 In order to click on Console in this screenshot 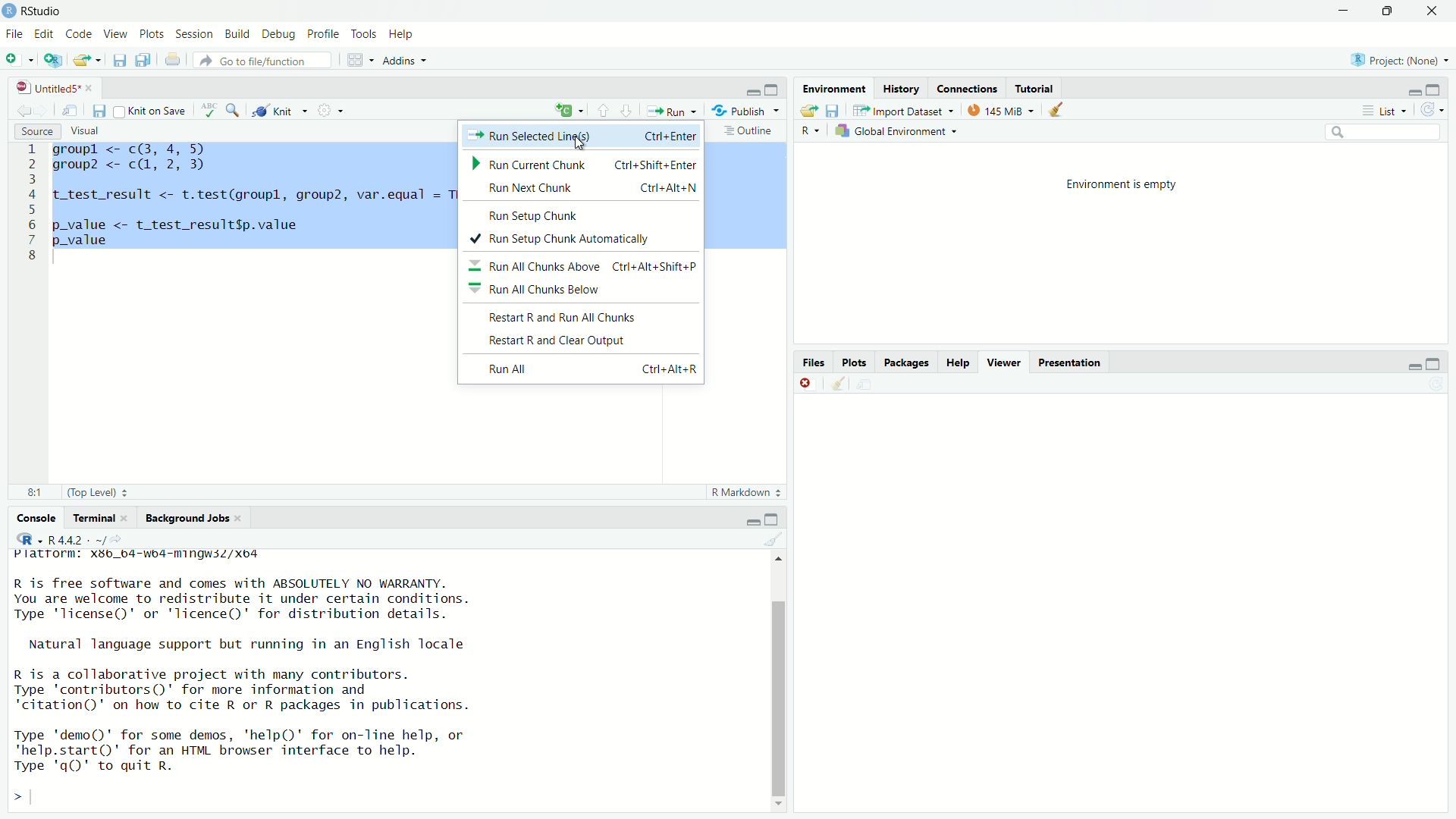, I will do `click(36, 518)`.